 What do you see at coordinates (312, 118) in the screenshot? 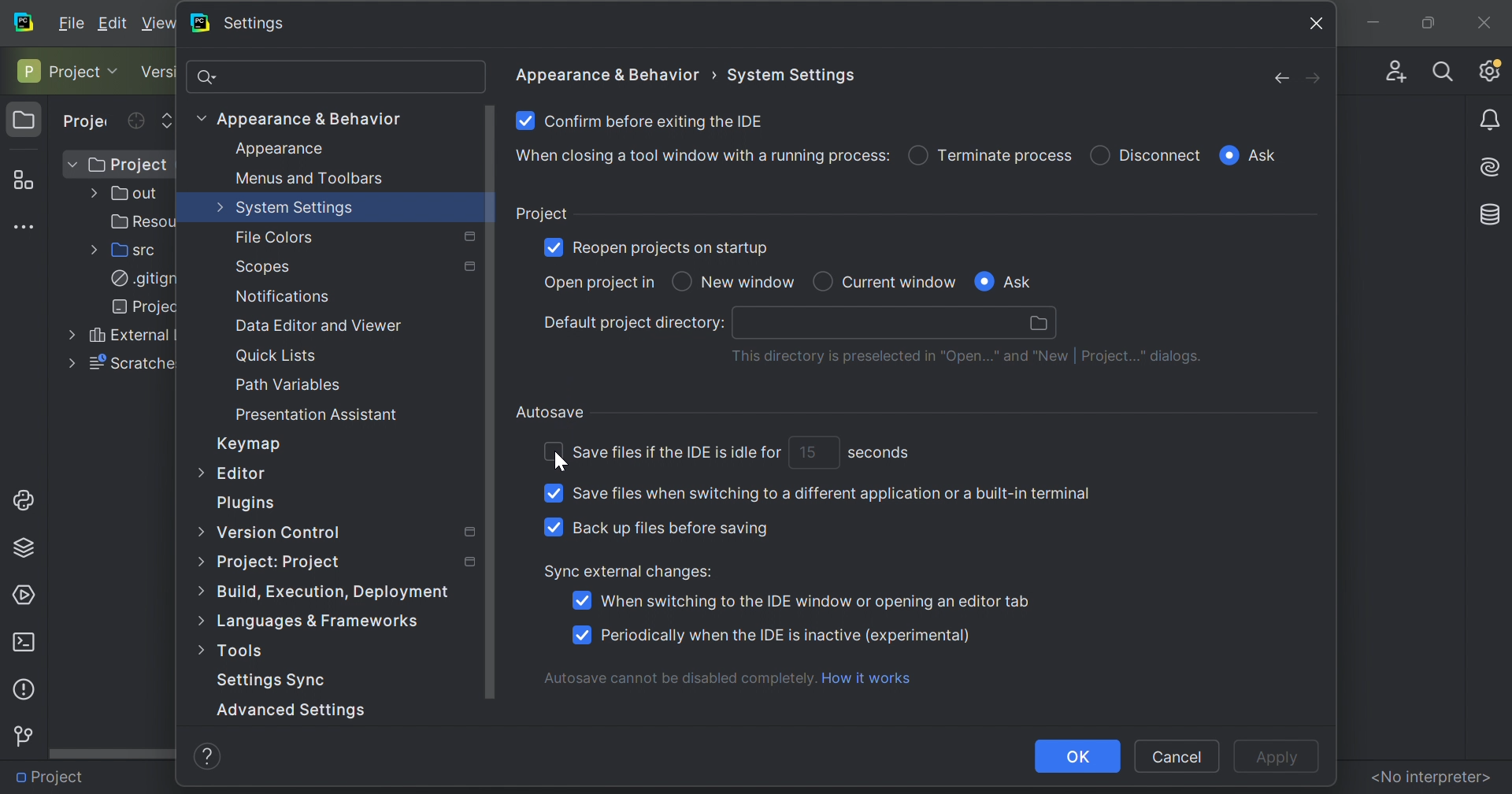
I see `Appearance & Behavior` at bounding box center [312, 118].